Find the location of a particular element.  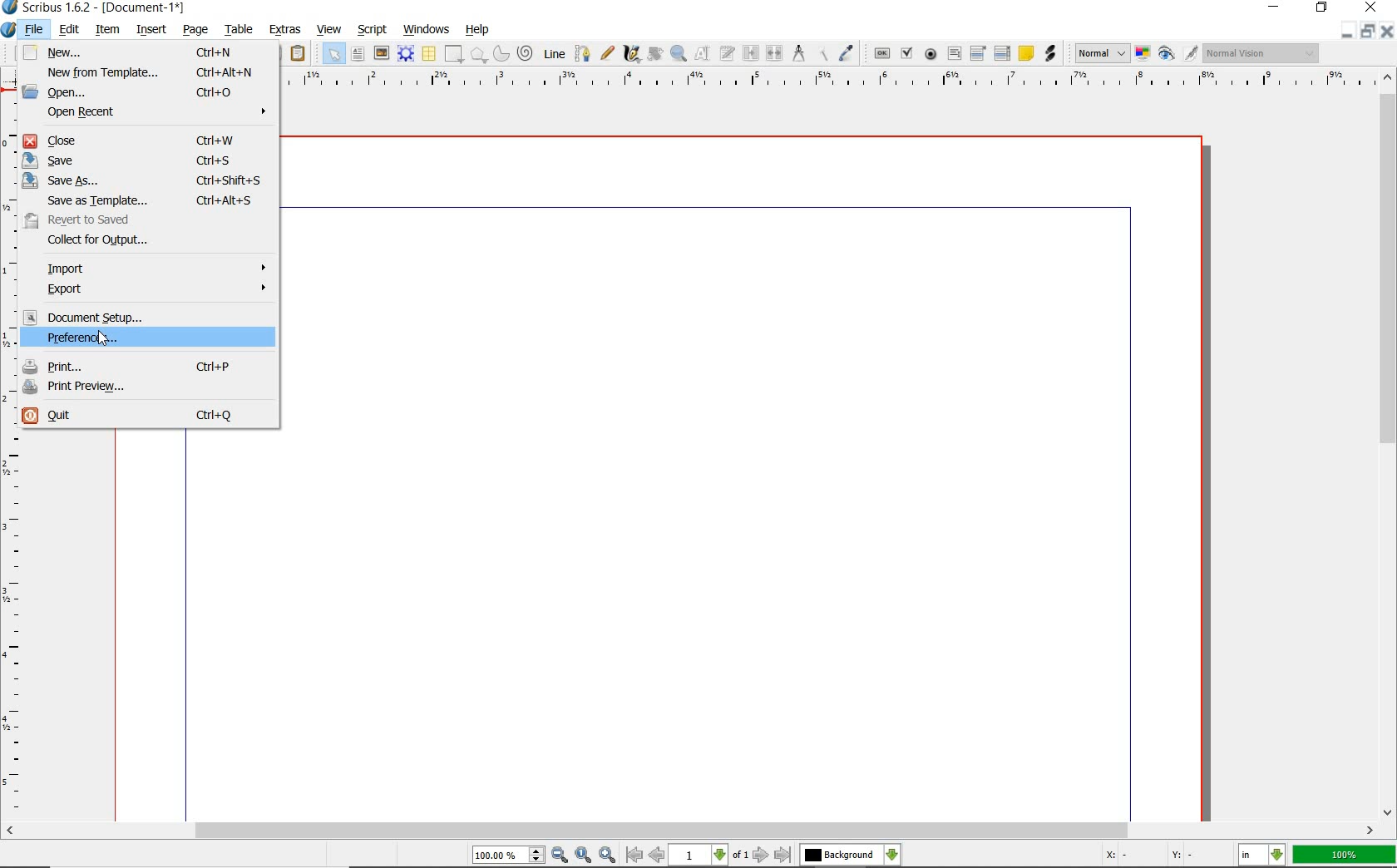

pdf combo box is located at coordinates (981, 52).